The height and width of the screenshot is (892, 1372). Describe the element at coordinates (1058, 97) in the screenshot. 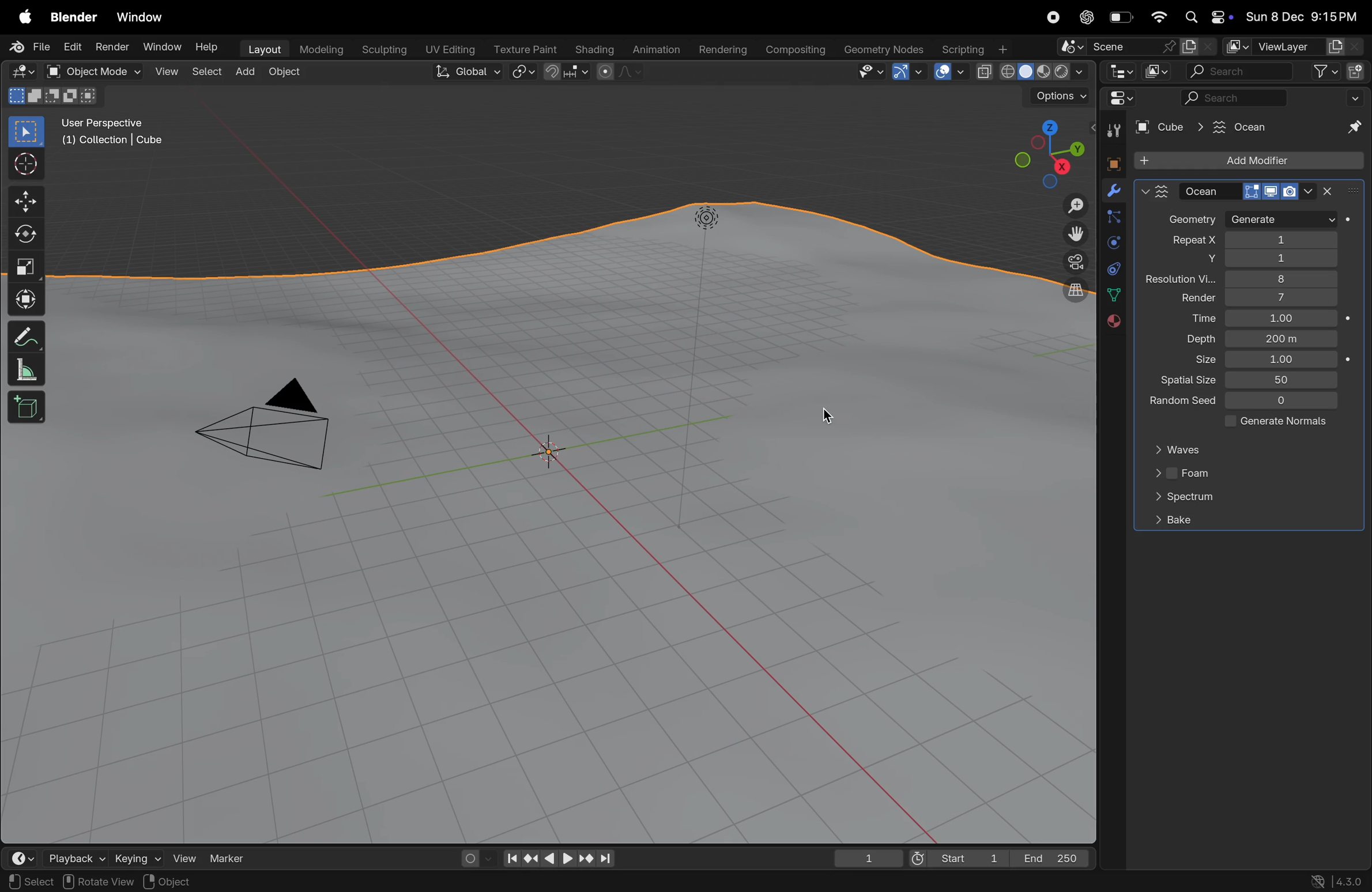

I see `options` at that location.